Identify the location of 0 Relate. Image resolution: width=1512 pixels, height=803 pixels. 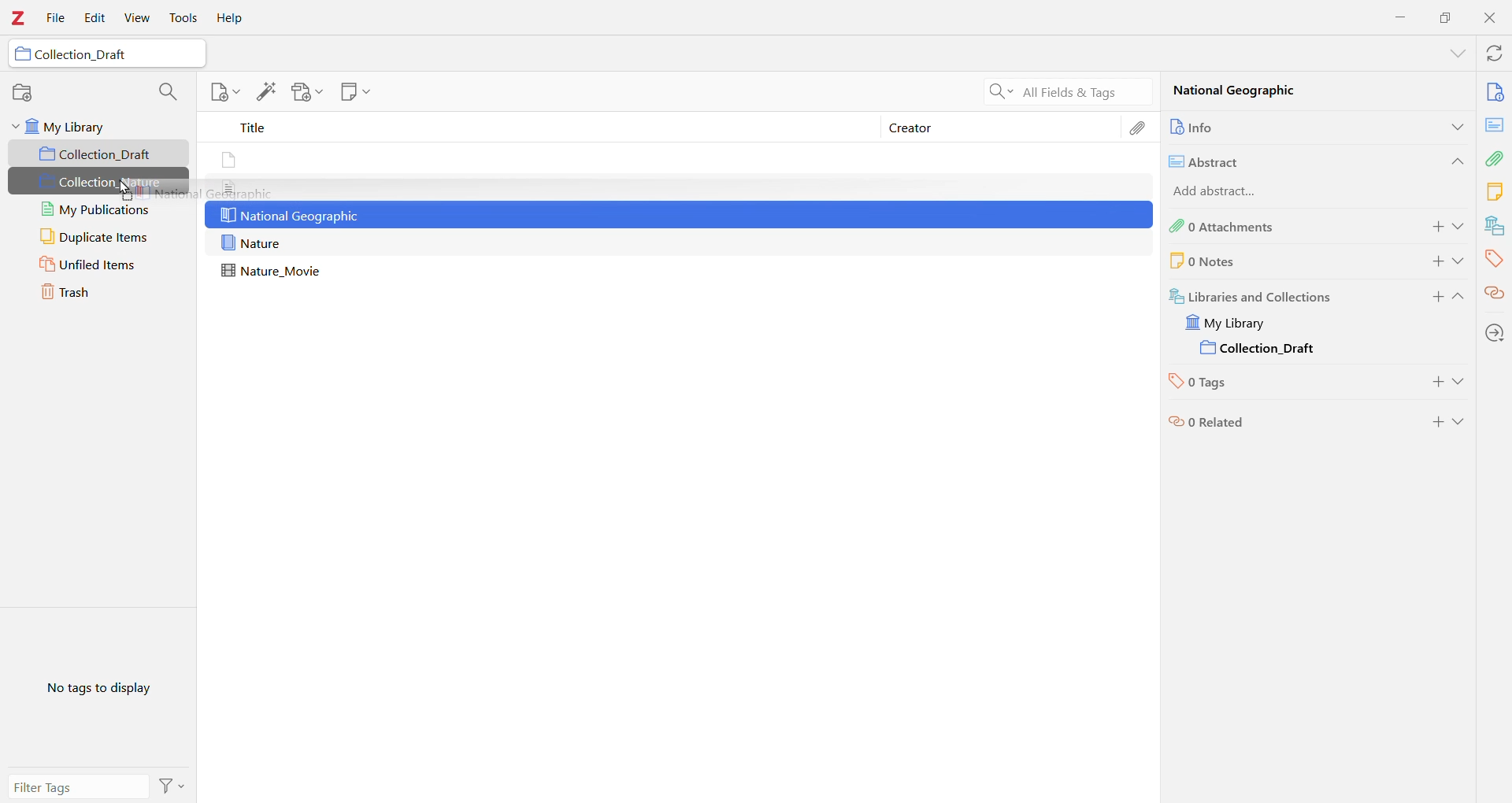
(1282, 422).